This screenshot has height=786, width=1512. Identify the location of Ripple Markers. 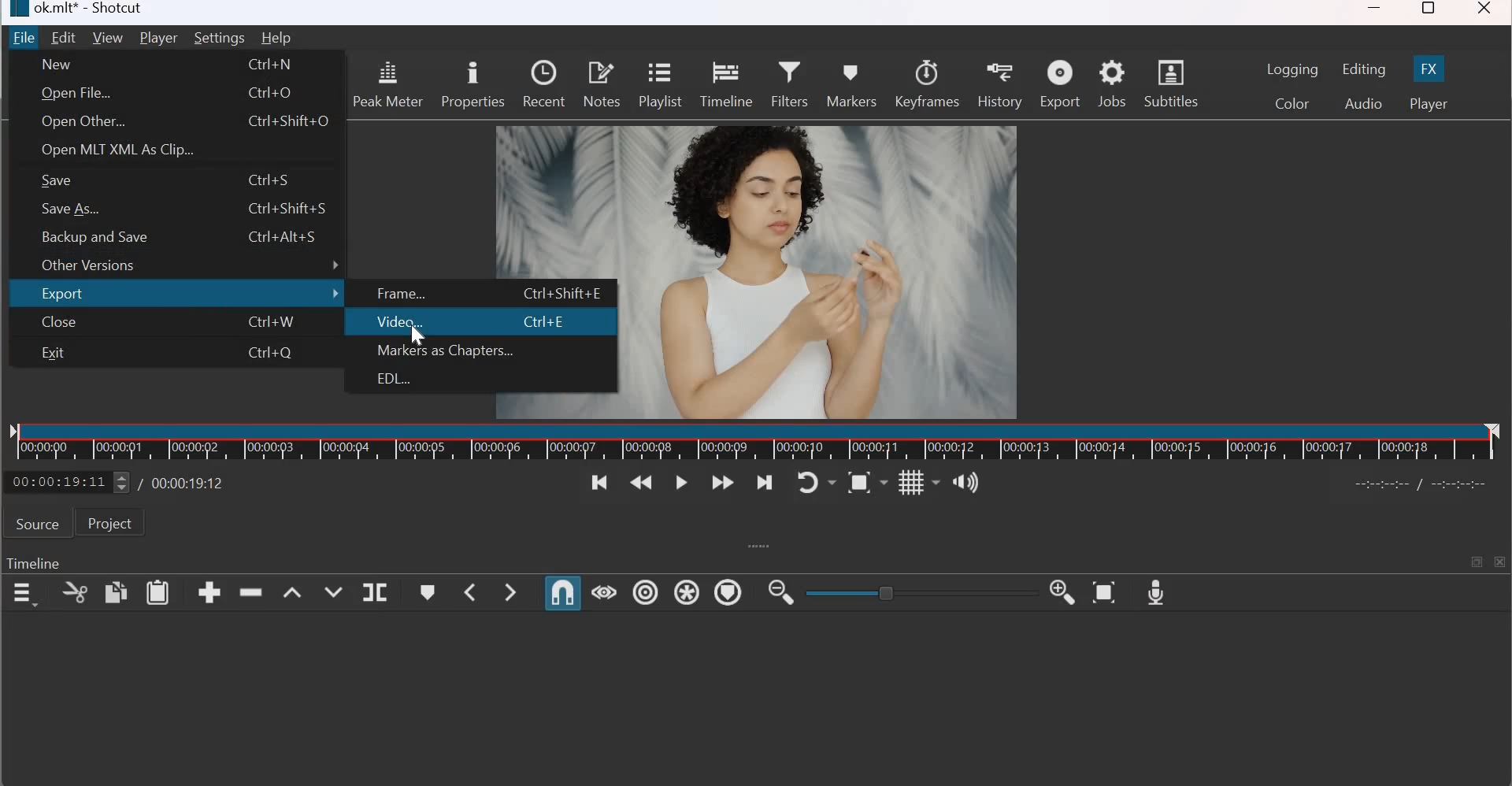
(728, 595).